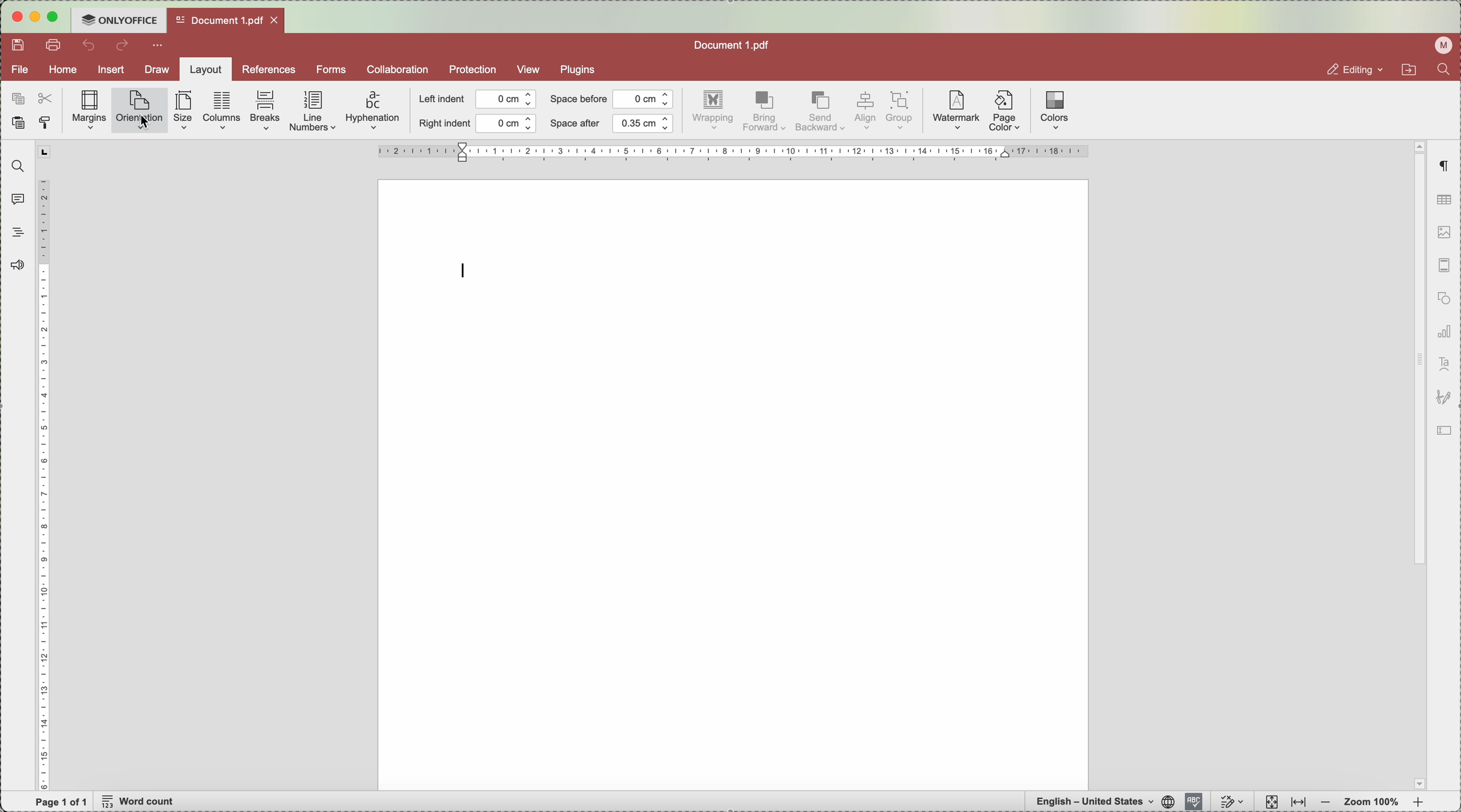 The height and width of the screenshot is (812, 1461). I want to click on size, so click(185, 111).